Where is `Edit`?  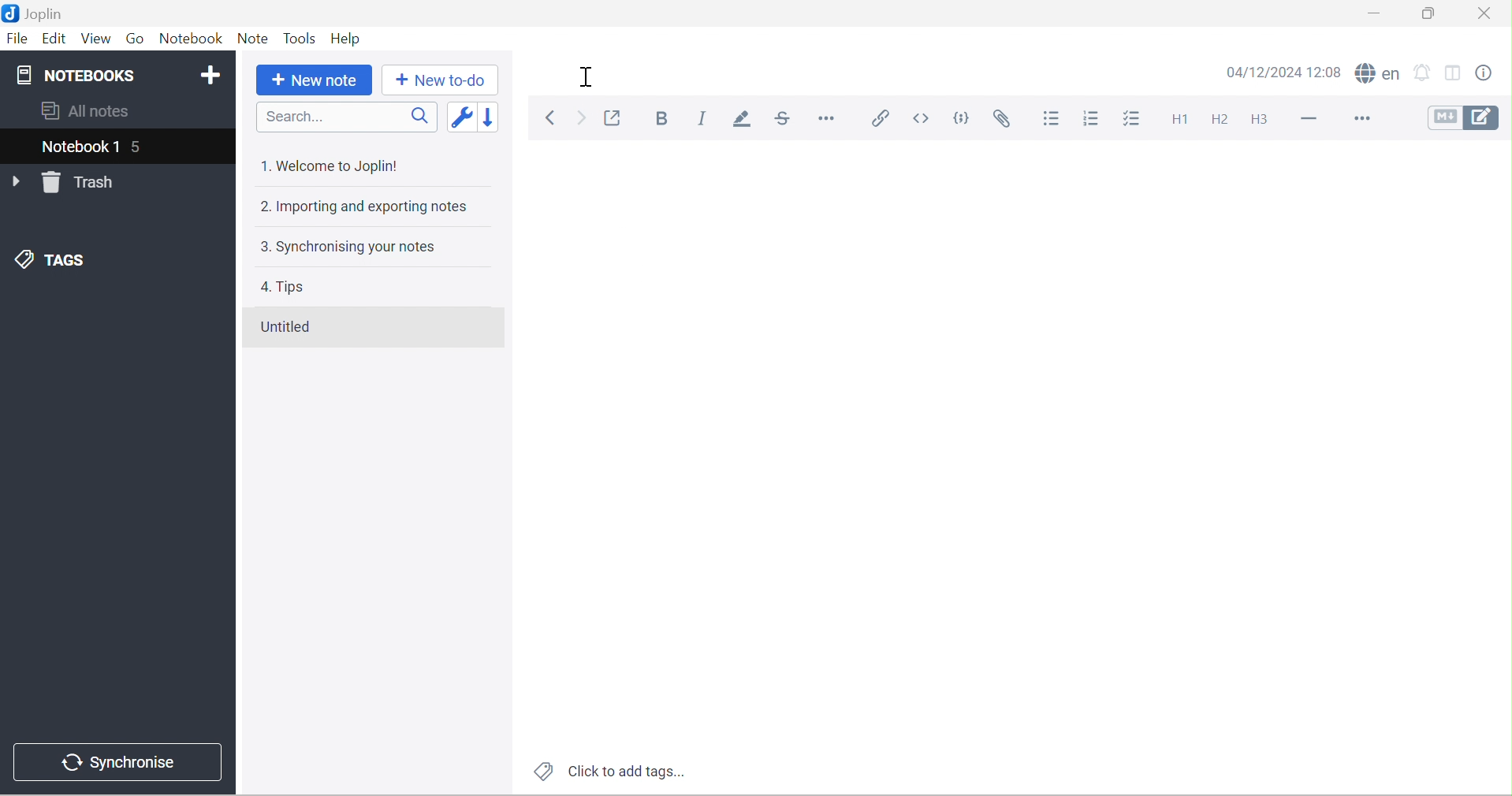
Edit is located at coordinates (54, 40).